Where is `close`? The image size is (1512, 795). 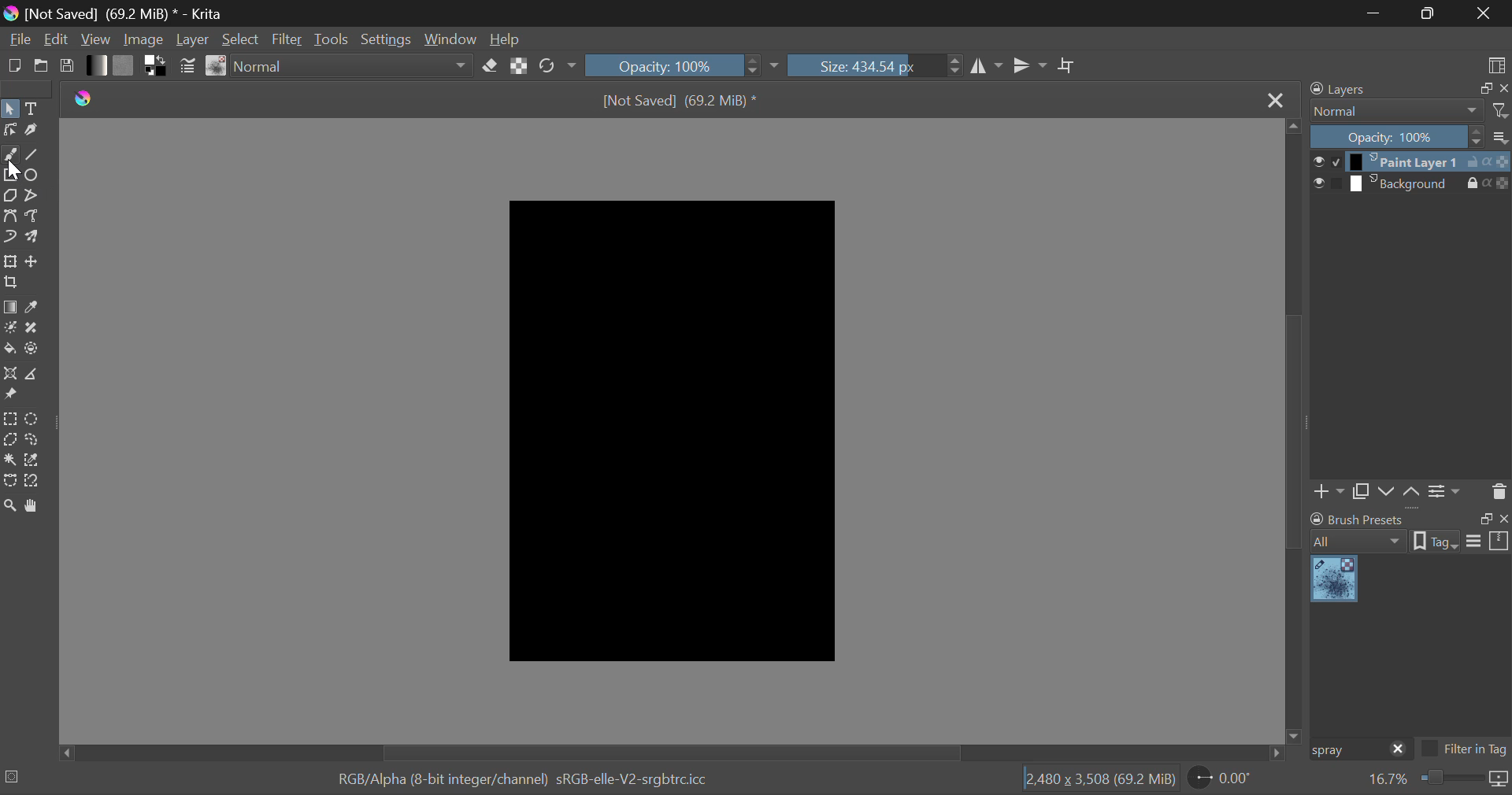
close is located at coordinates (1503, 89).